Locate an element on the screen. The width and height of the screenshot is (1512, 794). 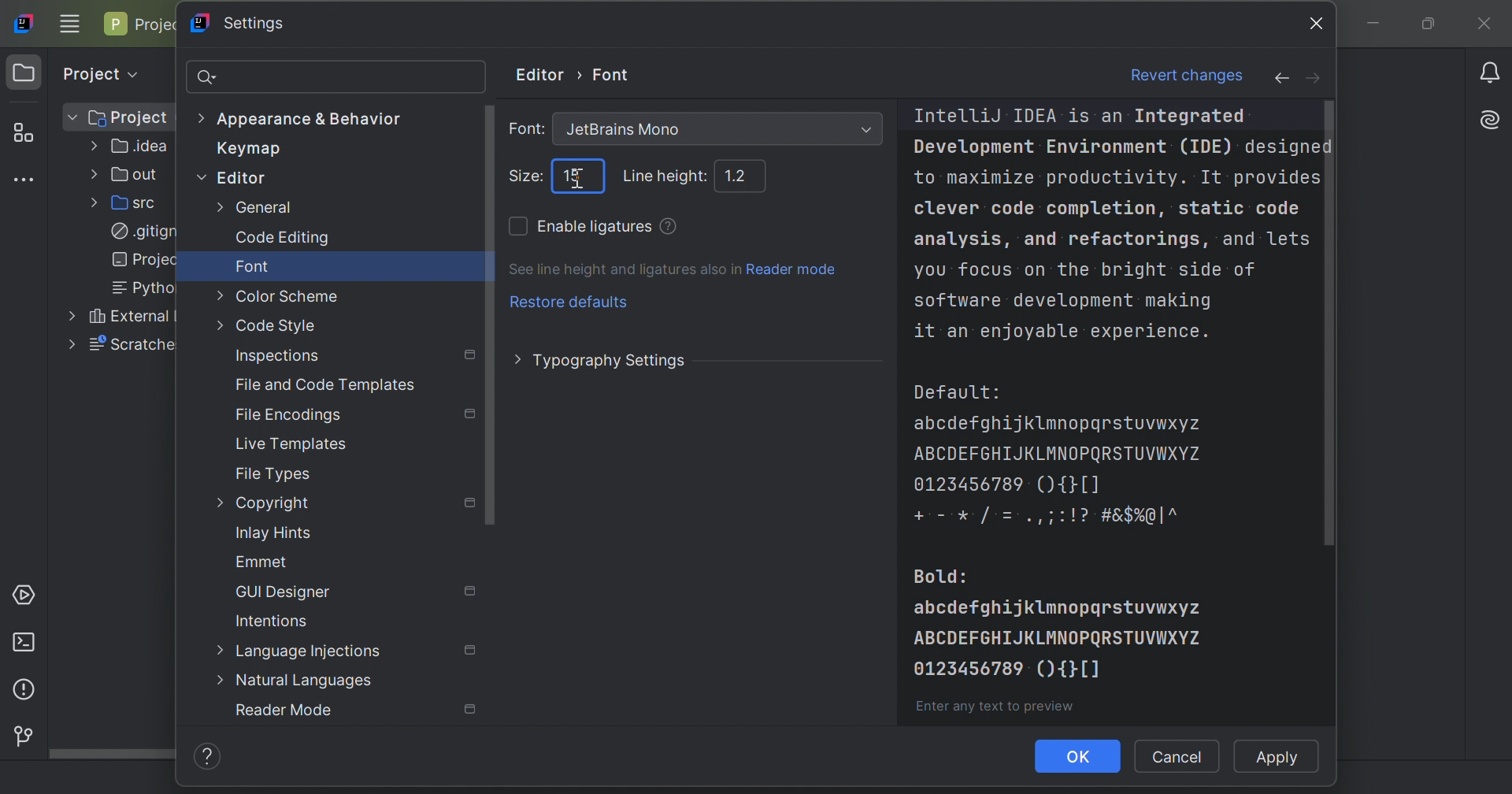
Apply is located at coordinates (1281, 759).